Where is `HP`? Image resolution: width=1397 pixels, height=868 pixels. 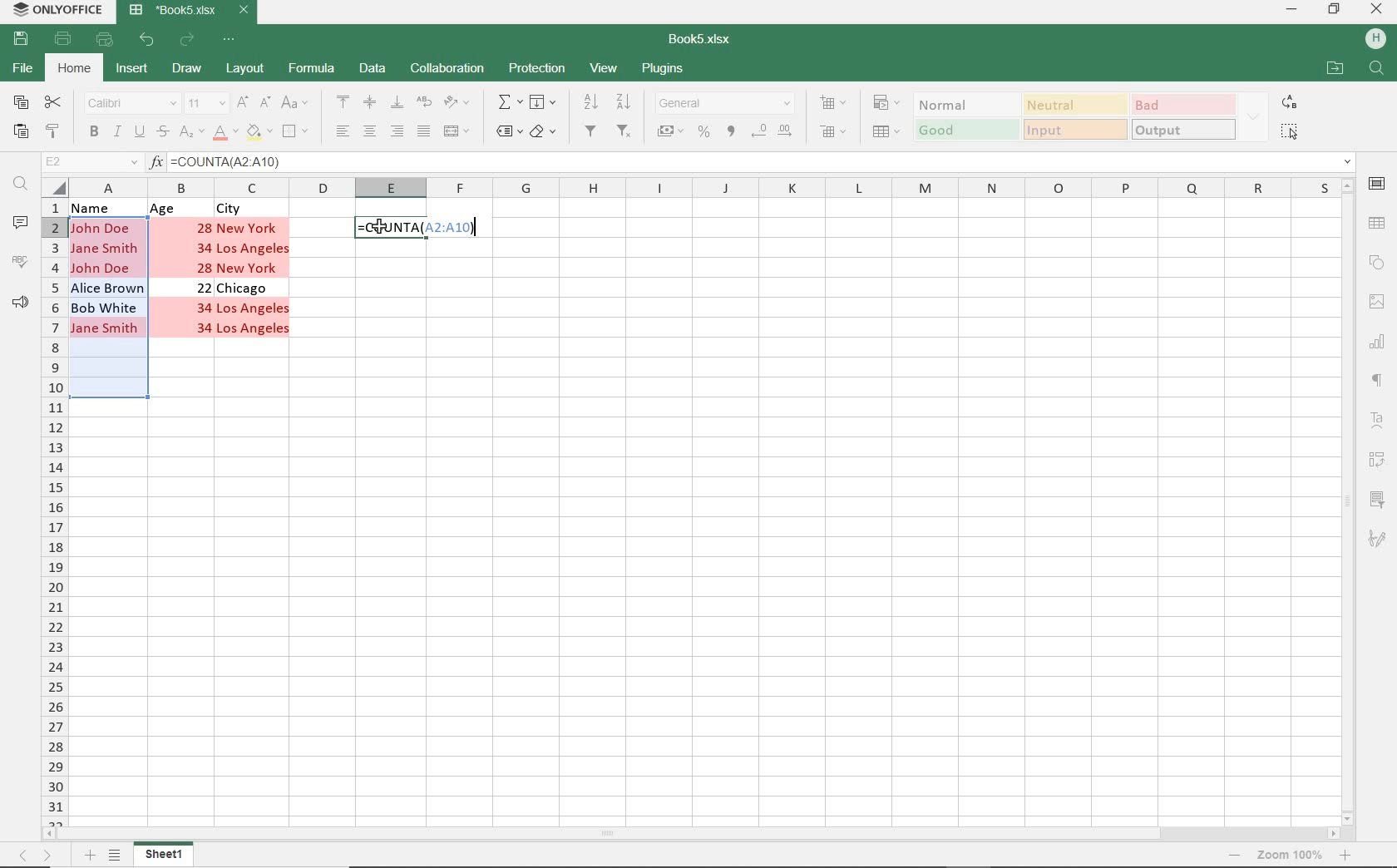
HP is located at coordinates (1375, 38).